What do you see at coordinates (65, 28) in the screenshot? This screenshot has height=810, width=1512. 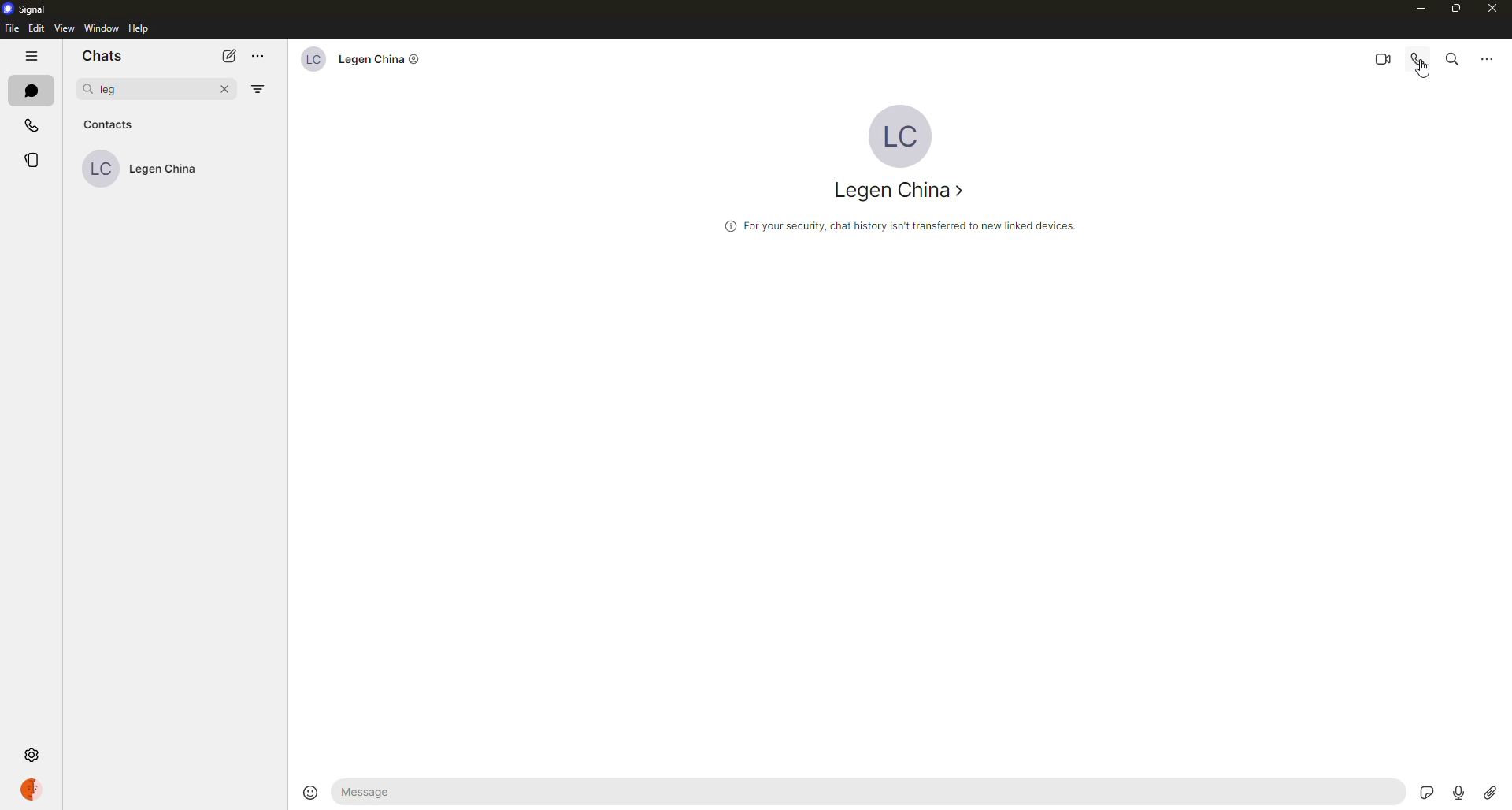 I see `view` at bounding box center [65, 28].